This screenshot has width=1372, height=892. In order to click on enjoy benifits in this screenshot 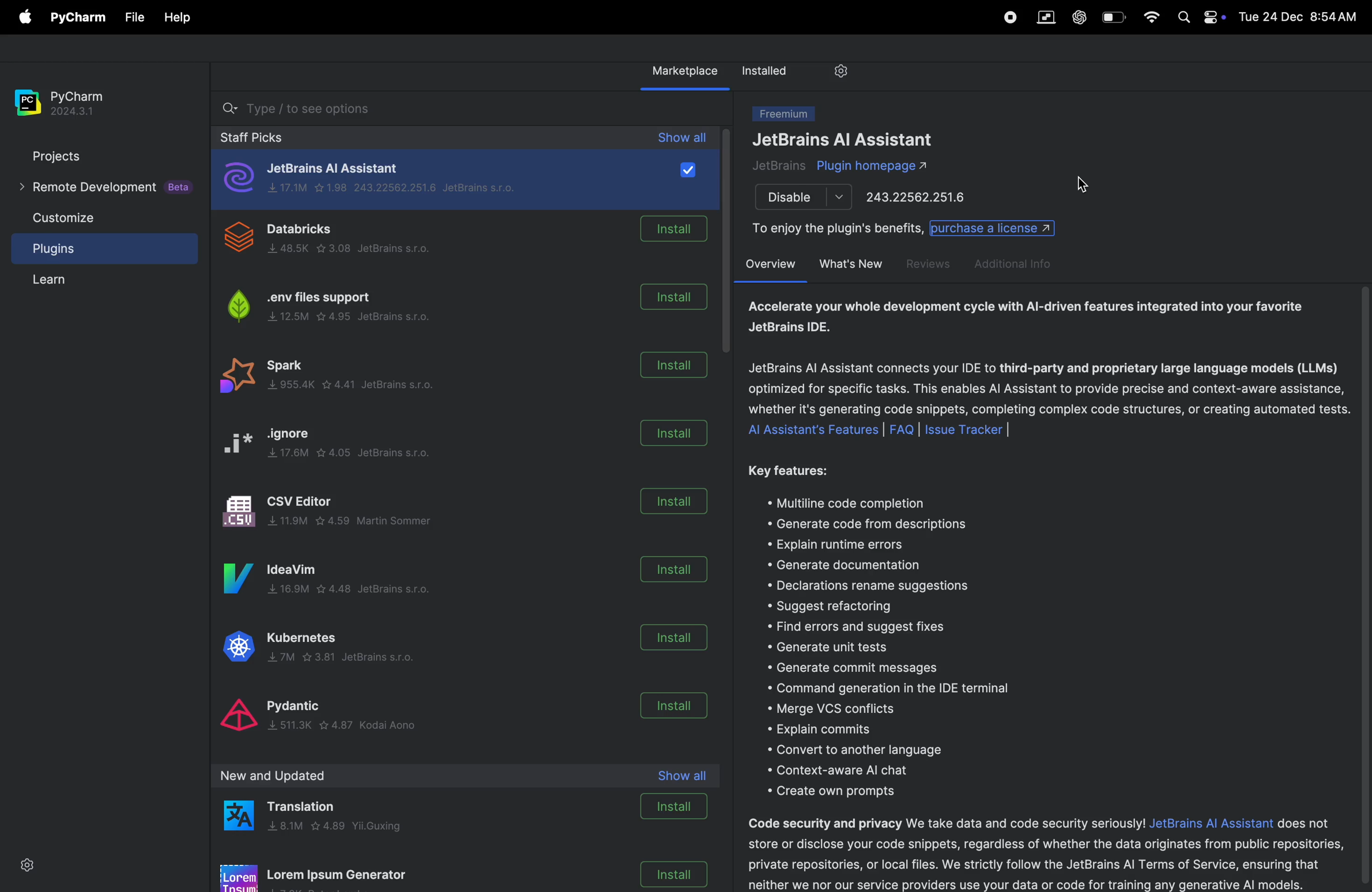, I will do `click(912, 229)`.